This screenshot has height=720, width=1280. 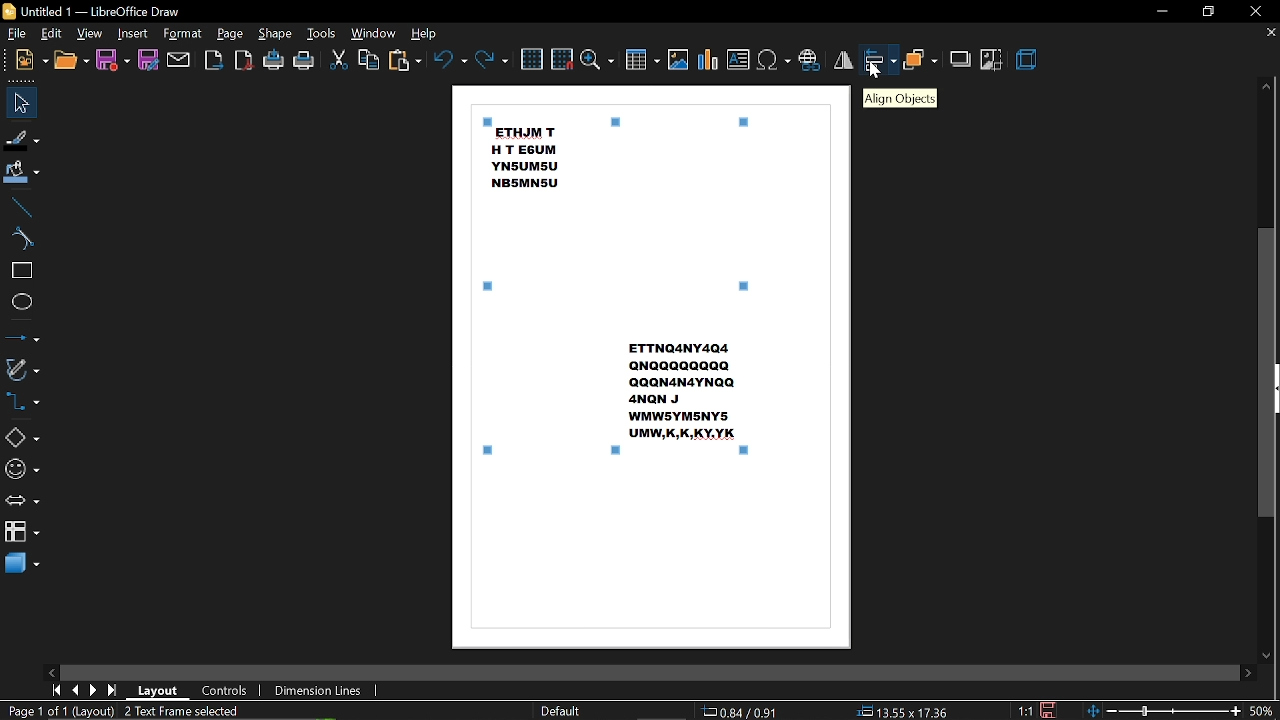 What do you see at coordinates (374, 34) in the screenshot?
I see `window` at bounding box center [374, 34].